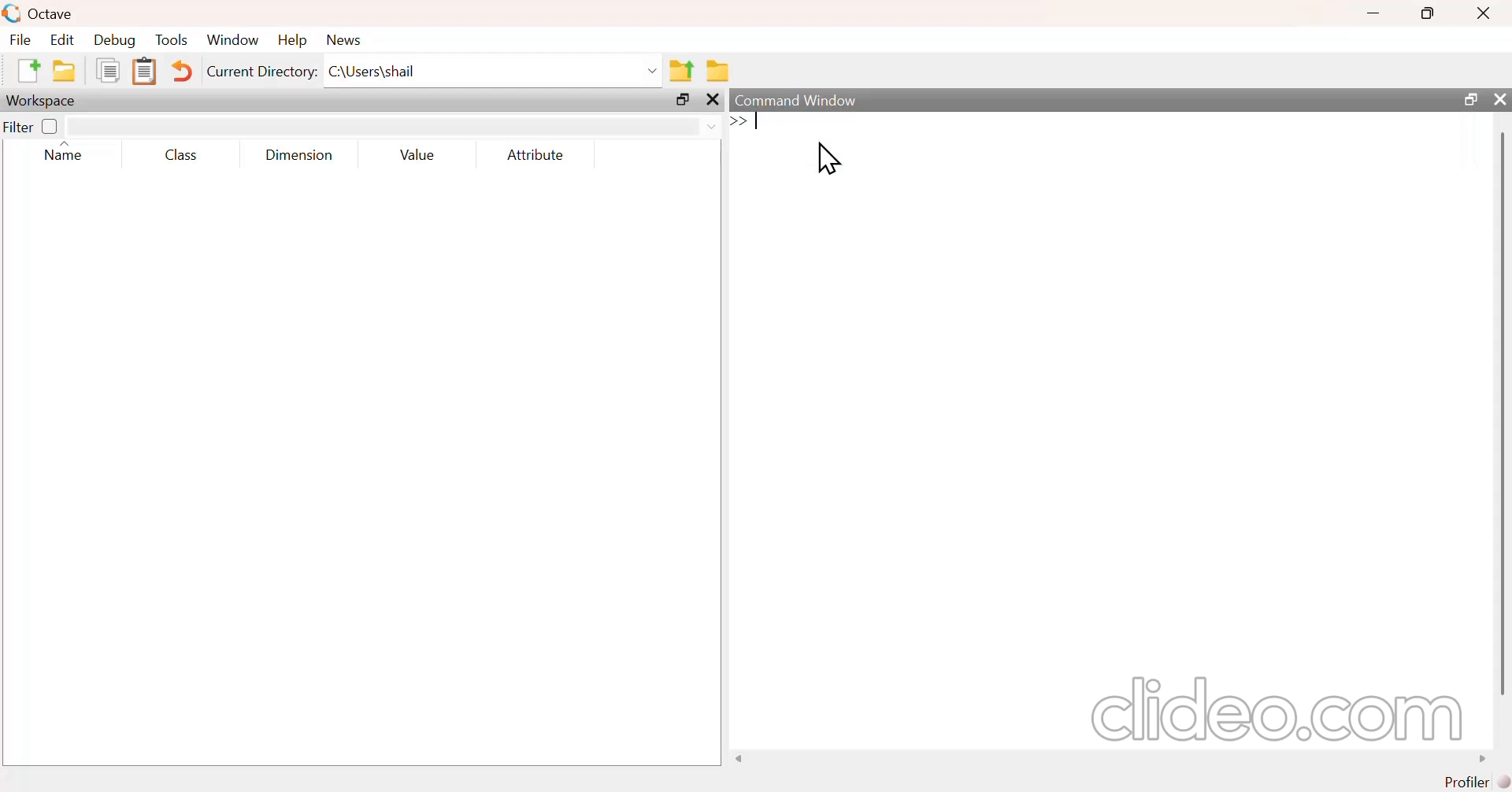 The height and width of the screenshot is (792, 1512). What do you see at coordinates (535, 154) in the screenshot?
I see `attribute` at bounding box center [535, 154].